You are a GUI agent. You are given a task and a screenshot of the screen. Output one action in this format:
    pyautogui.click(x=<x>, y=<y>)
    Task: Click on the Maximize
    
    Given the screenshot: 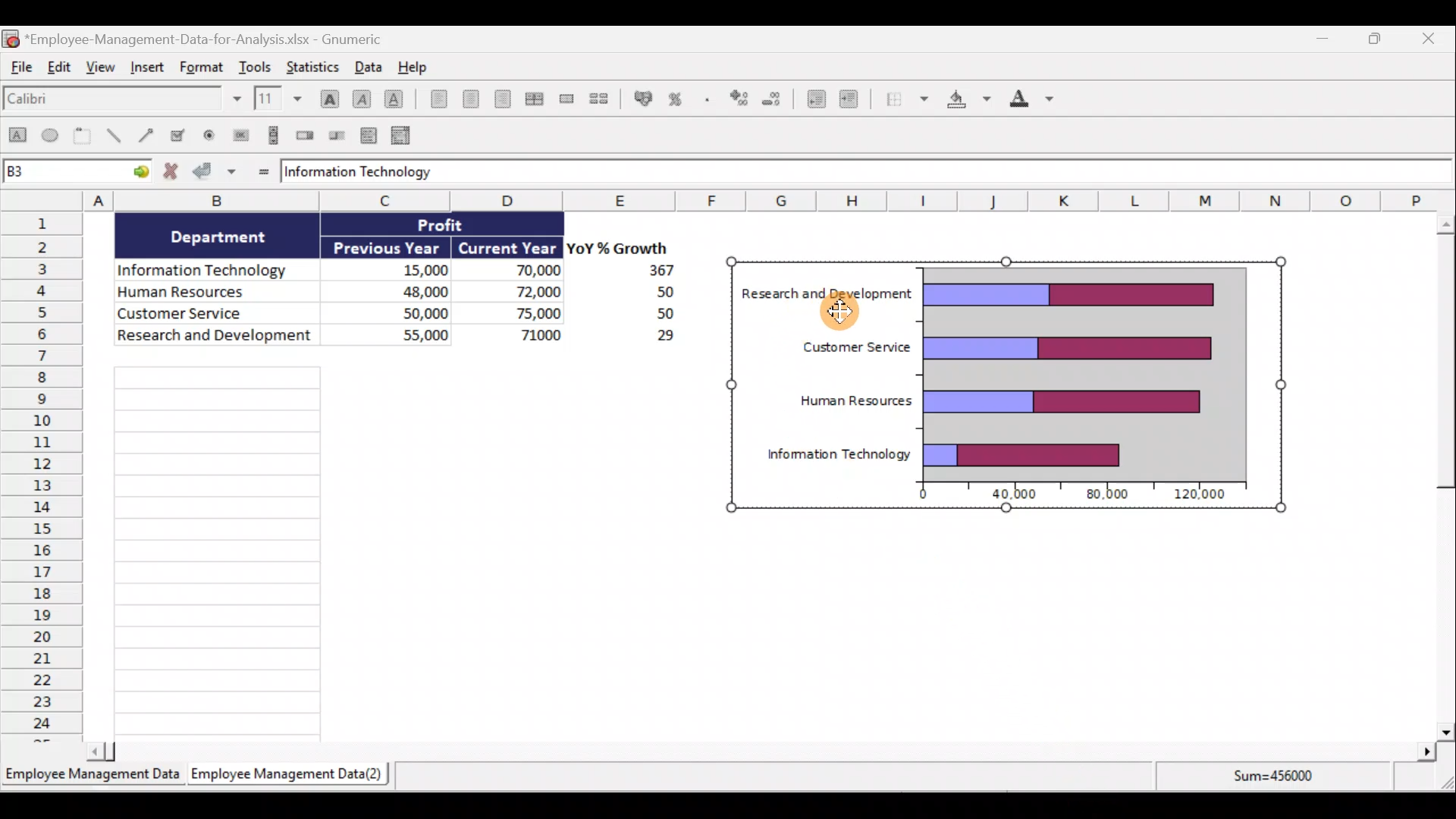 What is the action you would take?
    pyautogui.click(x=1382, y=41)
    